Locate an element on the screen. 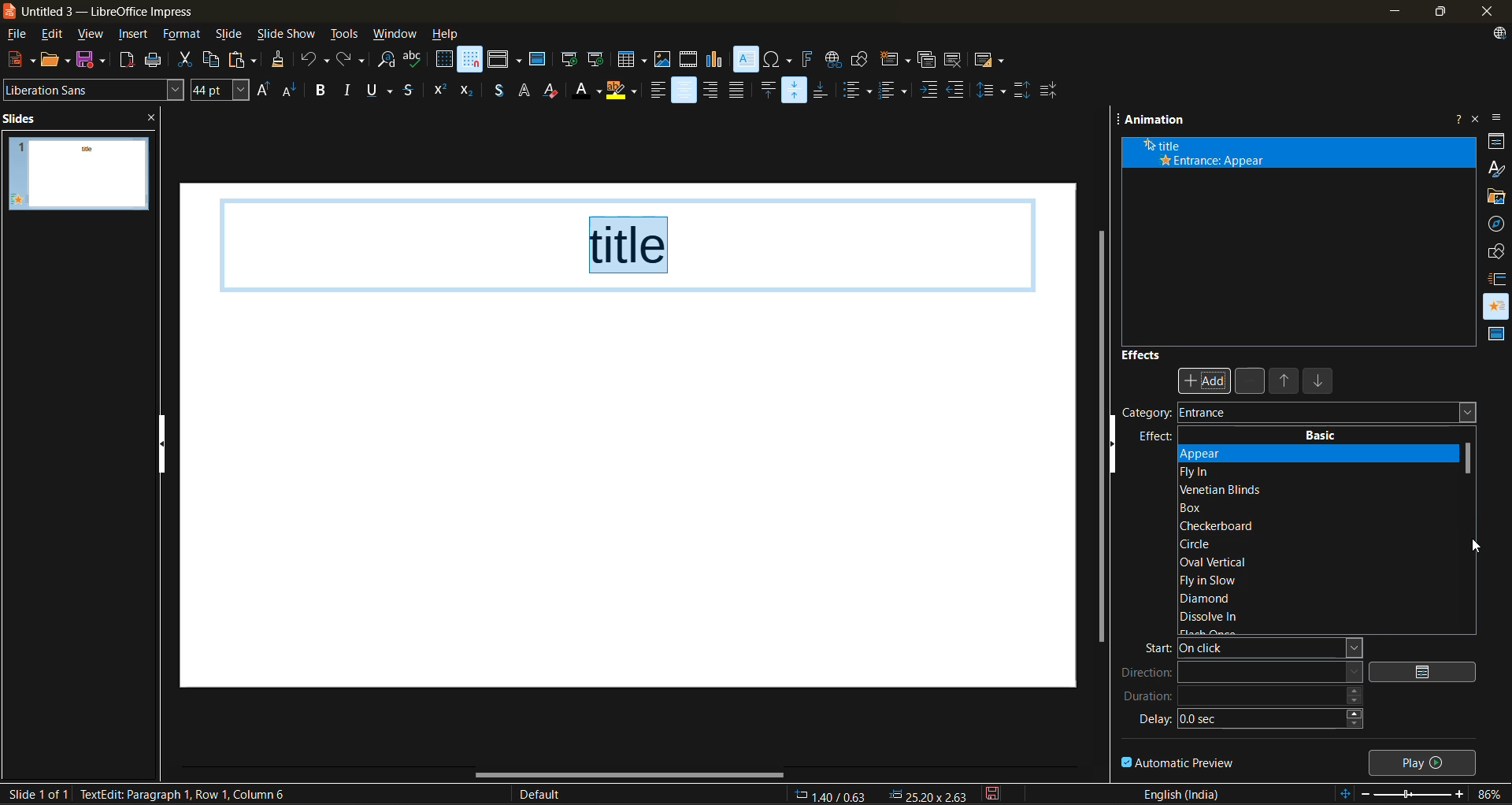 The image size is (1512, 805). bold is located at coordinates (322, 91).